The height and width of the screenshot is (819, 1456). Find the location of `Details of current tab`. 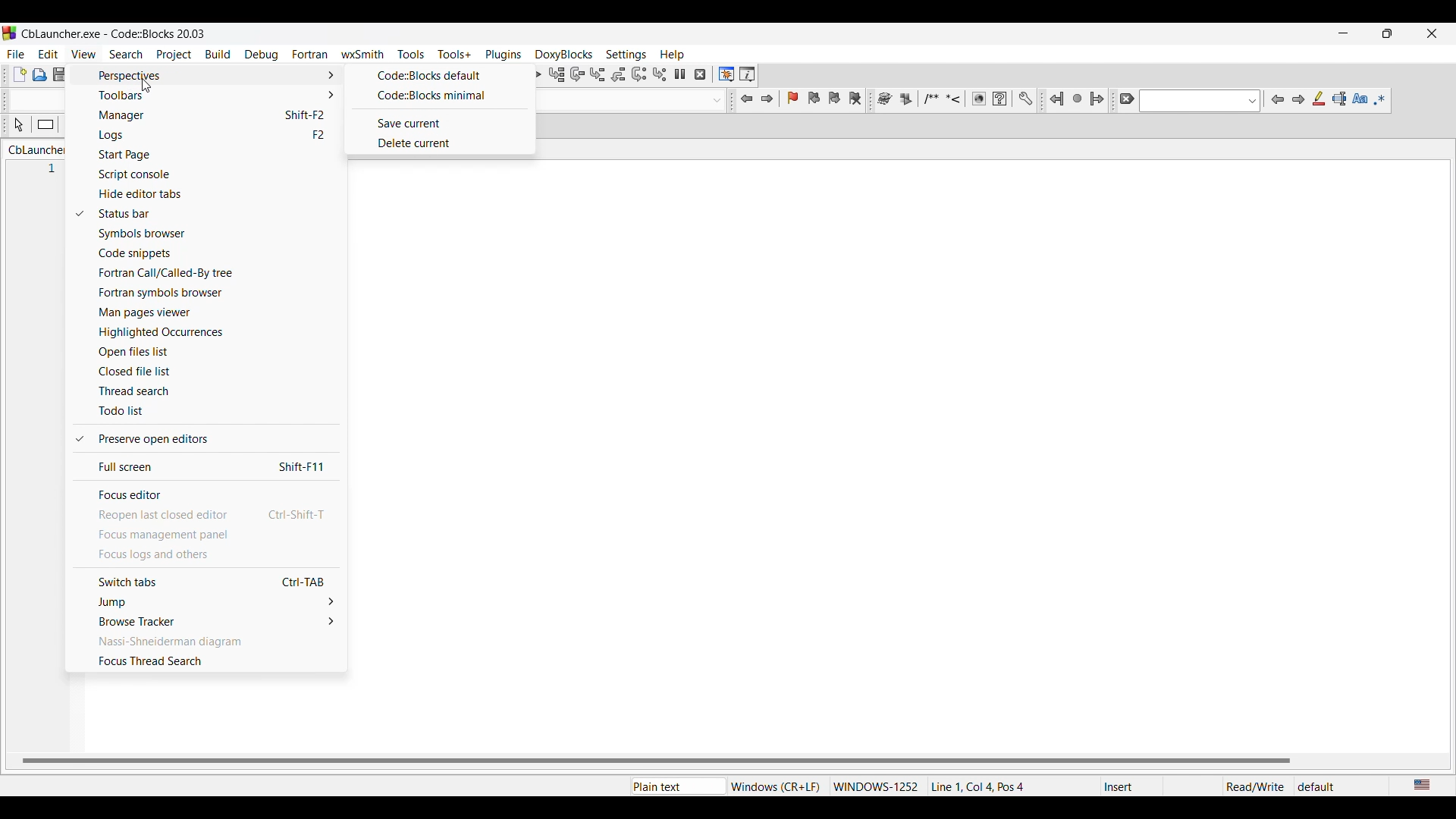

Details of current tab is located at coordinates (987, 786).